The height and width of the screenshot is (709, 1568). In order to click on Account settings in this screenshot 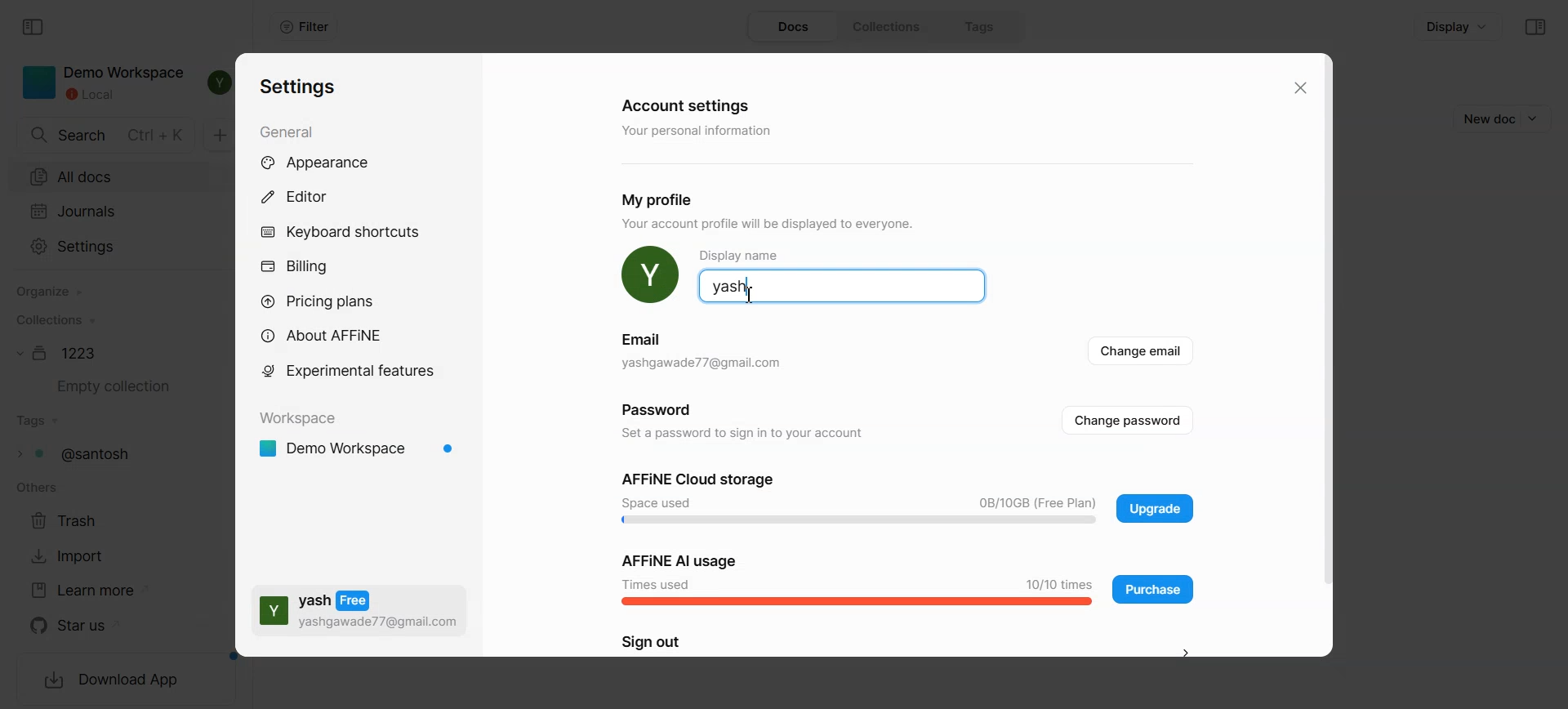, I will do `click(688, 104)`.